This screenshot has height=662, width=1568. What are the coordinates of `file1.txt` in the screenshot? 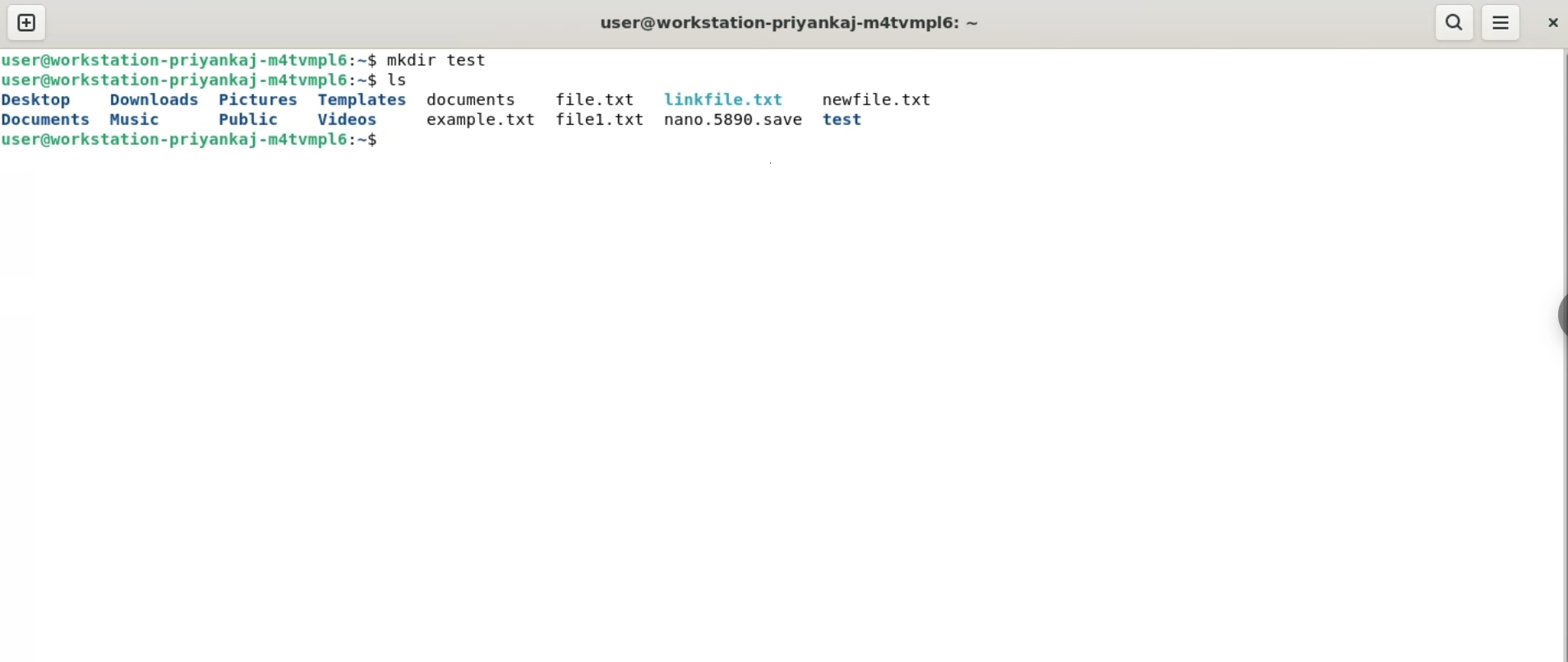 It's located at (598, 120).